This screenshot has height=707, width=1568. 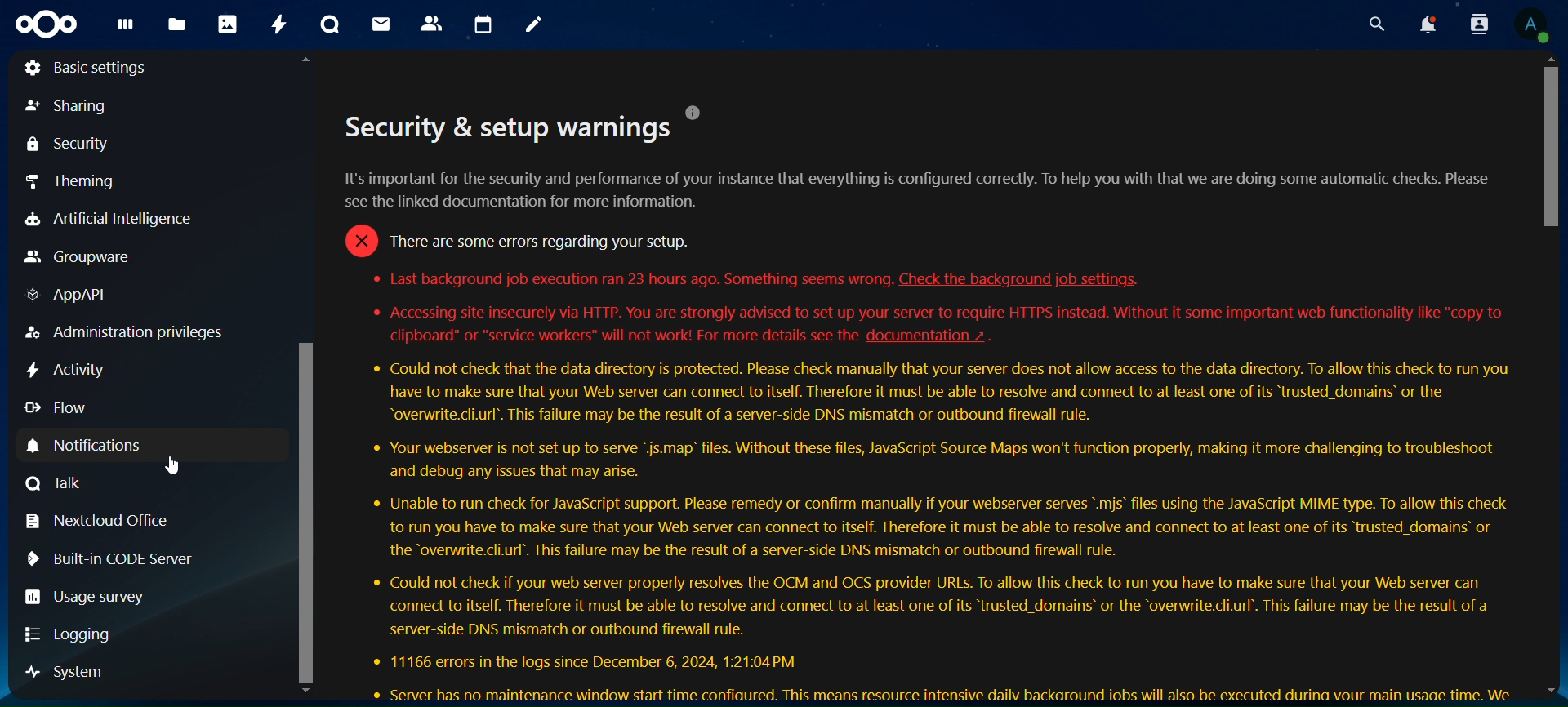 What do you see at coordinates (383, 23) in the screenshot?
I see `mail` at bounding box center [383, 23].